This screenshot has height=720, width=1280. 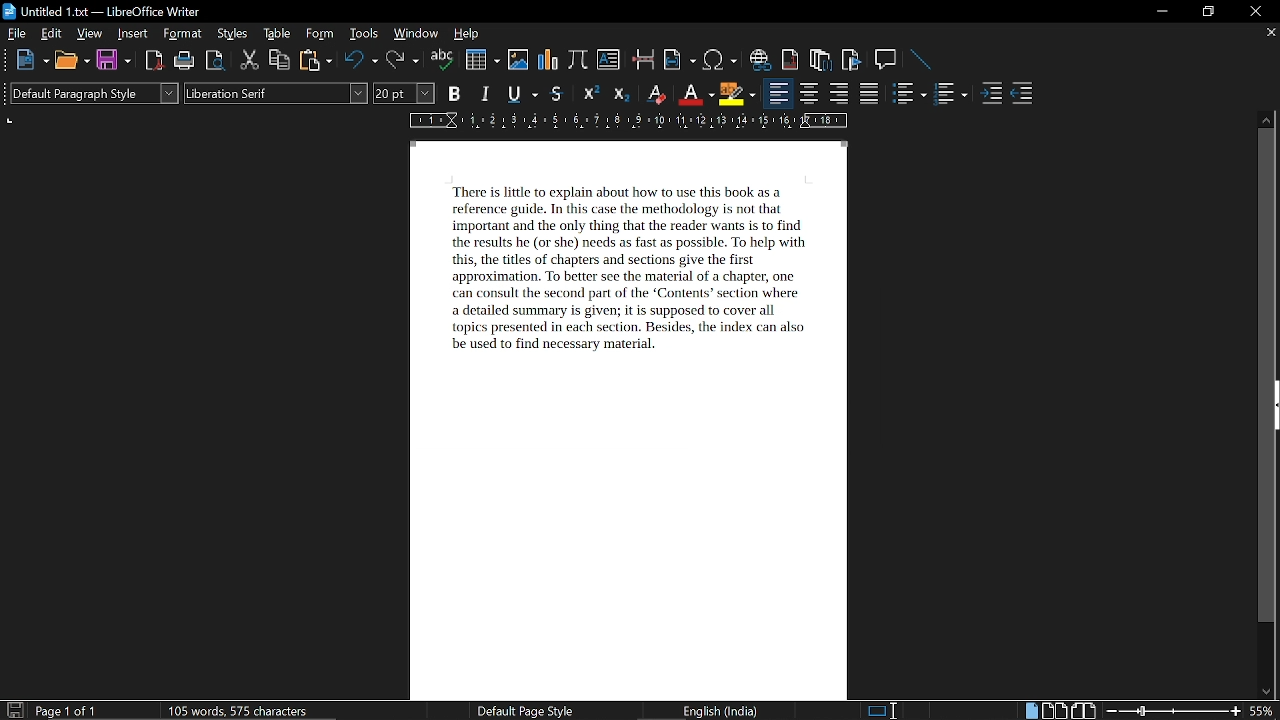 What do you see at coordinates (481, 59) in the screenshot?
I see `insert chart` at bounding box center [481, 59].